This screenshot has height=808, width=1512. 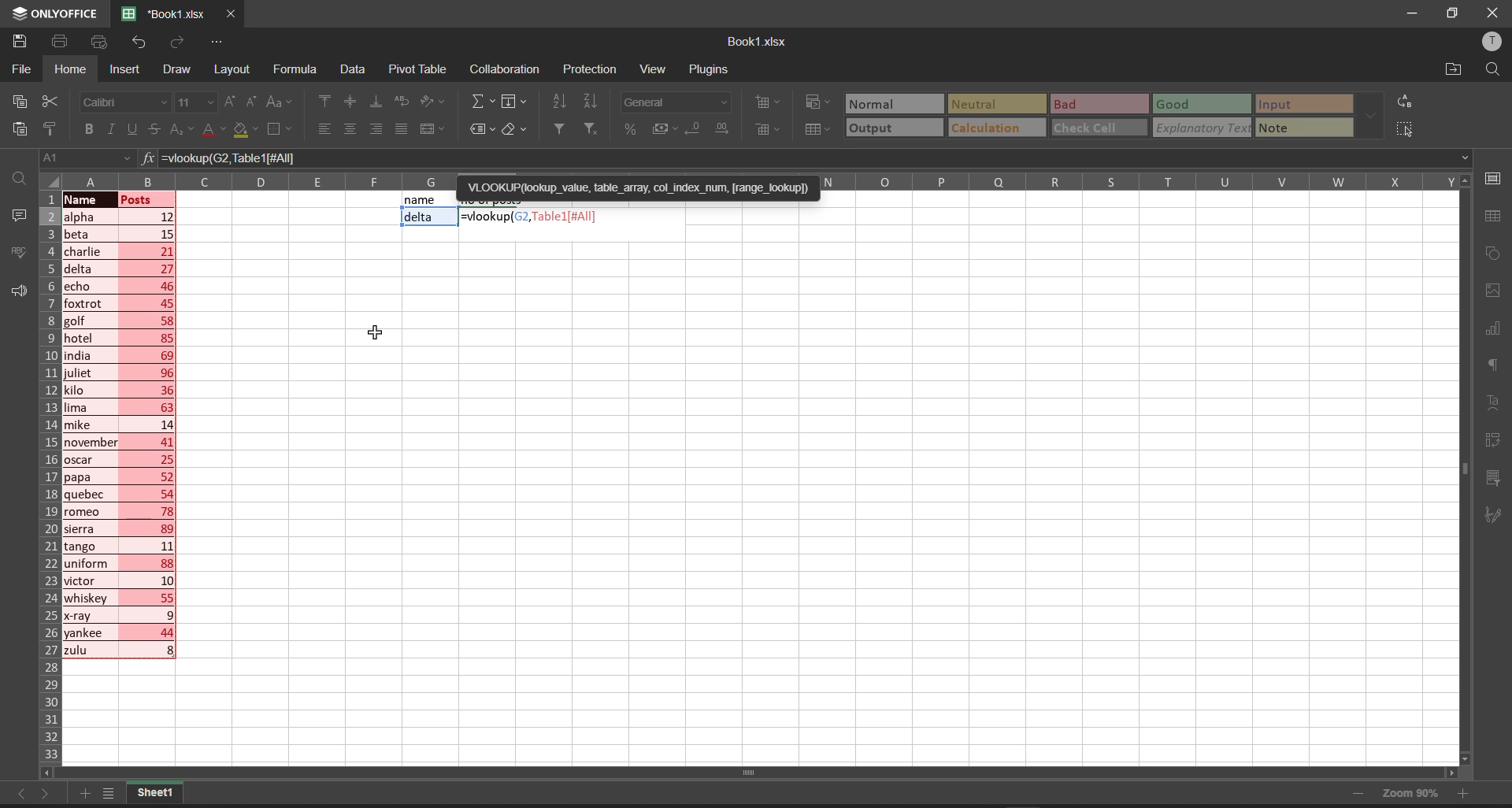 I want to click on shape settings, so click(x=1496, y=254).